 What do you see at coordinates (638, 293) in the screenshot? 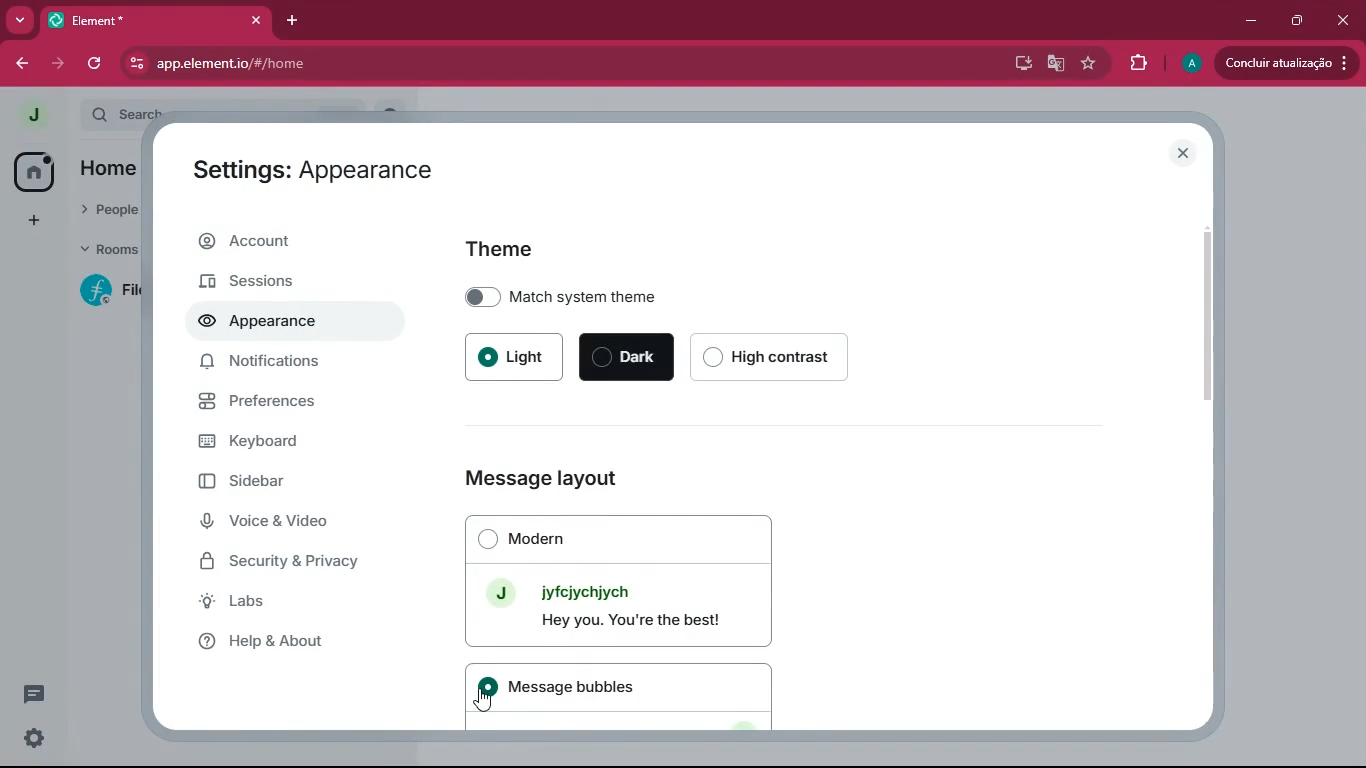
I see `match system theme` at bounding box center [638, 293].